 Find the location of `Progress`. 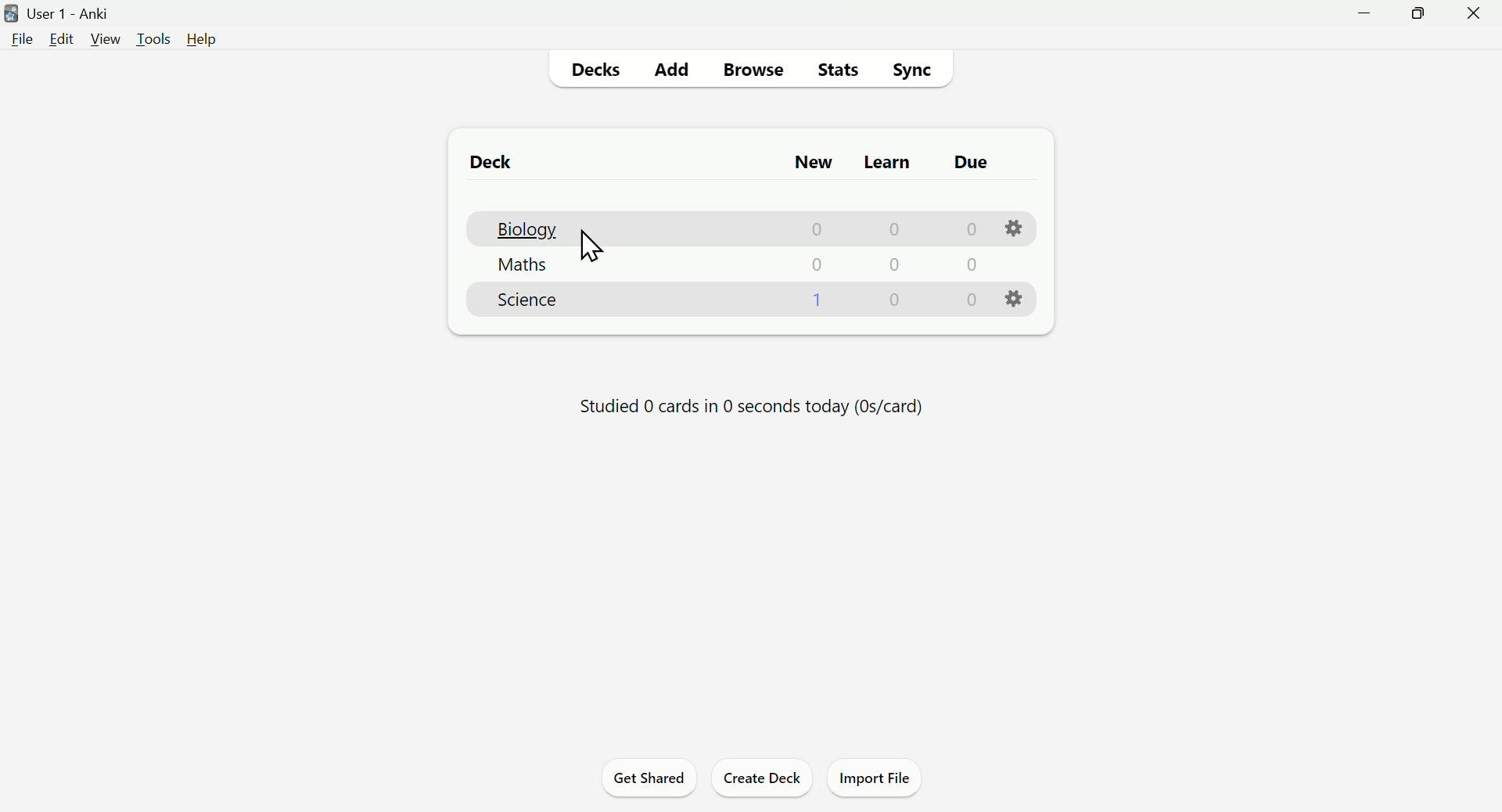

Progress is located at coordinates (742, 411).